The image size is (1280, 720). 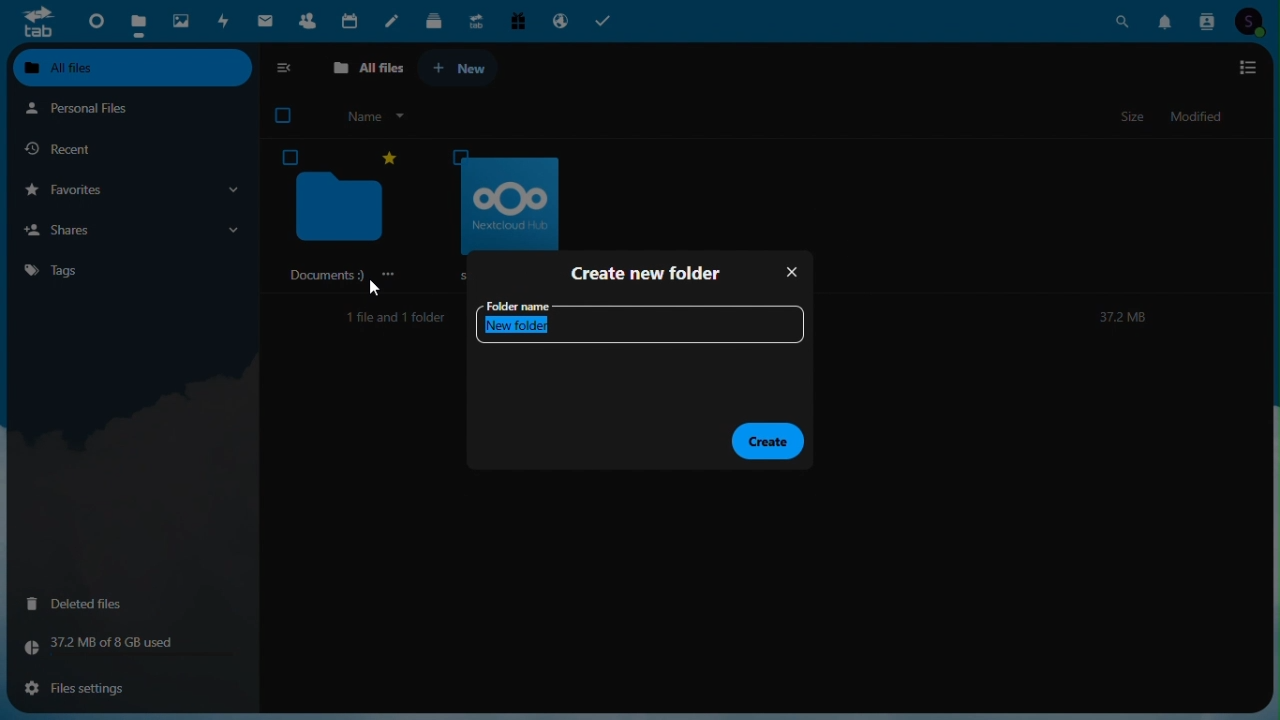 I want to click on Dashboard, so click(x=93, y=22).